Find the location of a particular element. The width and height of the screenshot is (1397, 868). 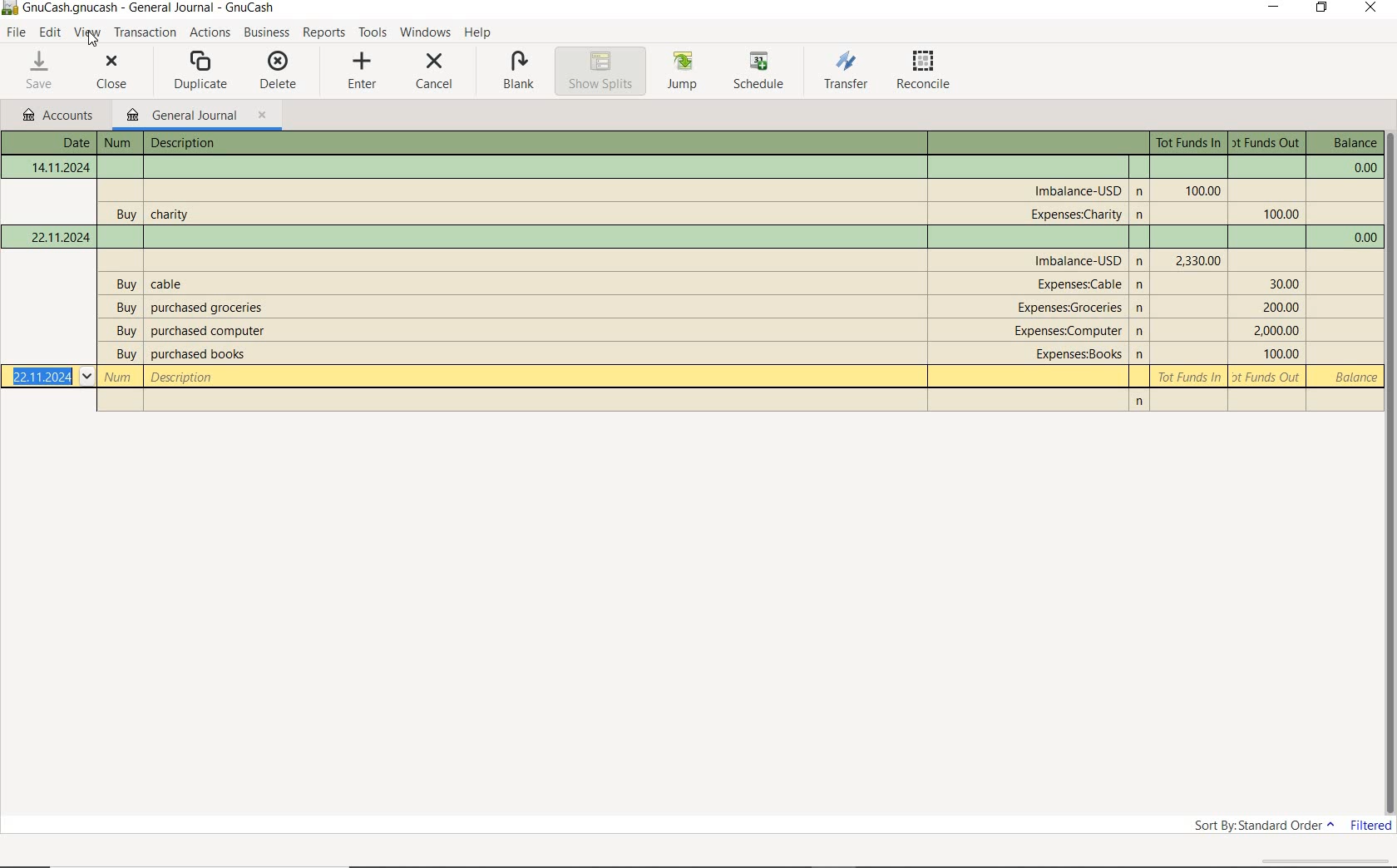

account is located at coordinates (1079, 260).